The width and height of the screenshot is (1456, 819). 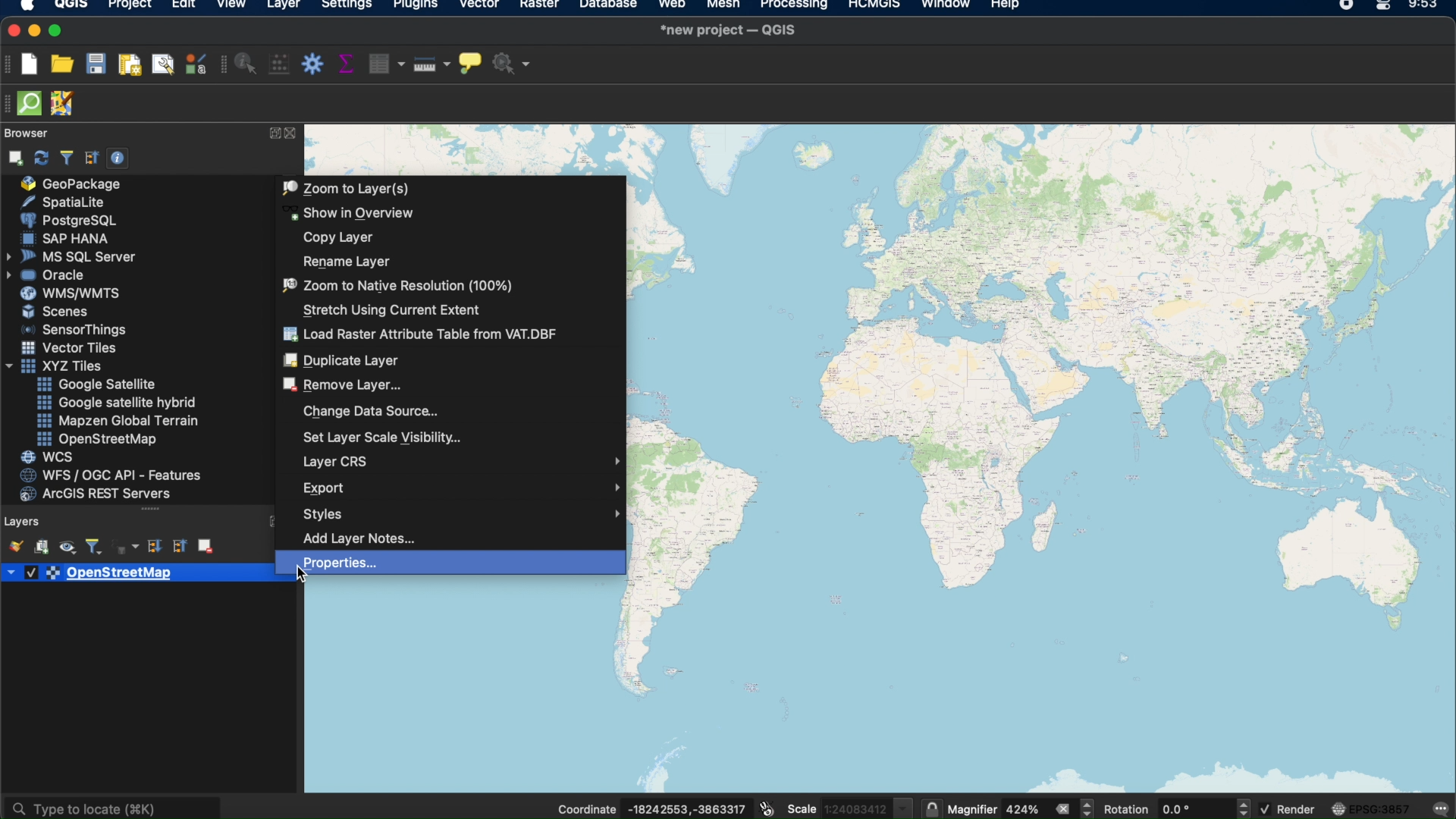 What do you see at coordinates (162, 64) in the screenshot?
I see `show layout` at bounding box center [162, 64].